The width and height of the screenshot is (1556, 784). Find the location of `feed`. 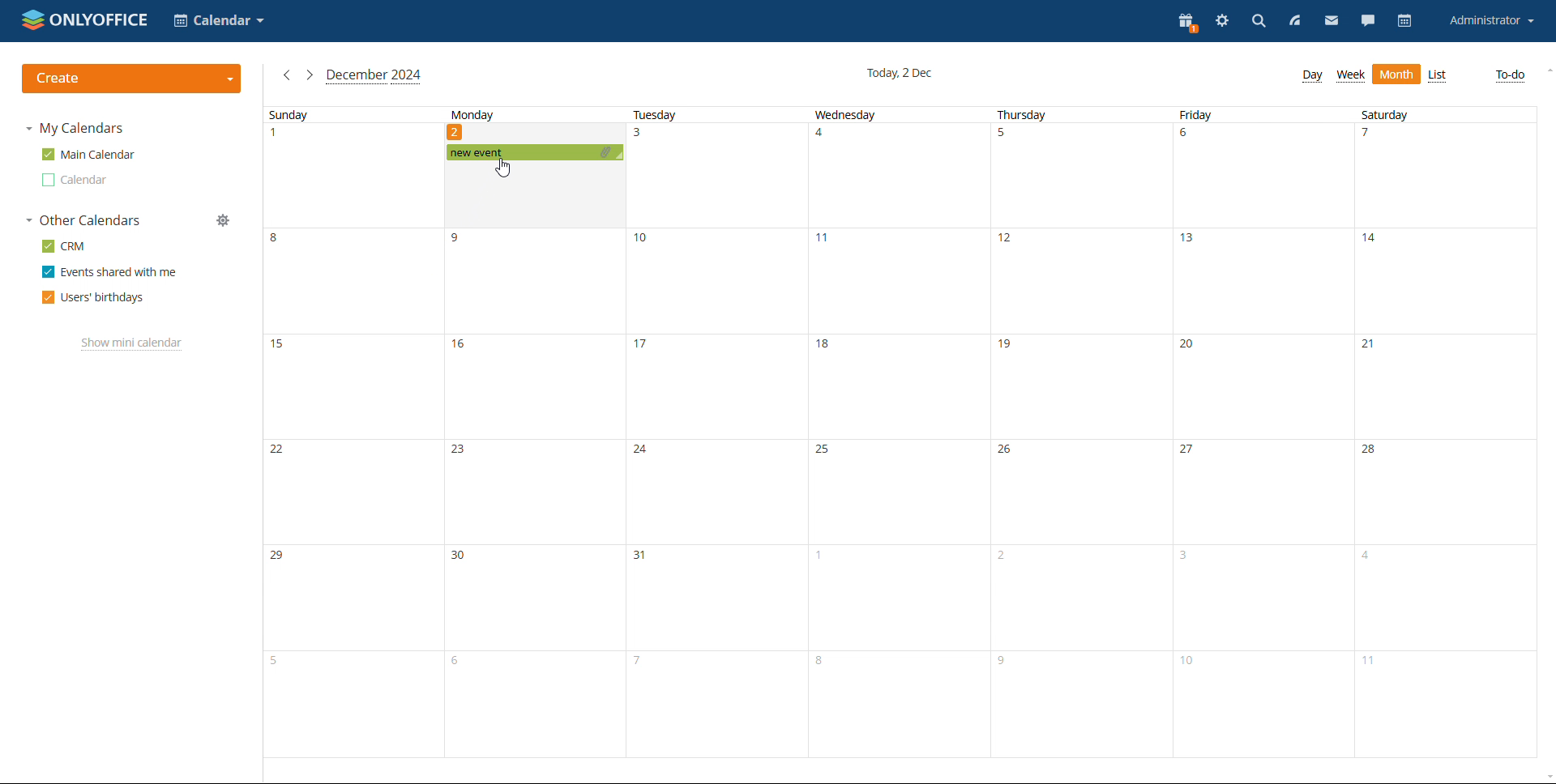

feed is located at coordinates (1292, 21).